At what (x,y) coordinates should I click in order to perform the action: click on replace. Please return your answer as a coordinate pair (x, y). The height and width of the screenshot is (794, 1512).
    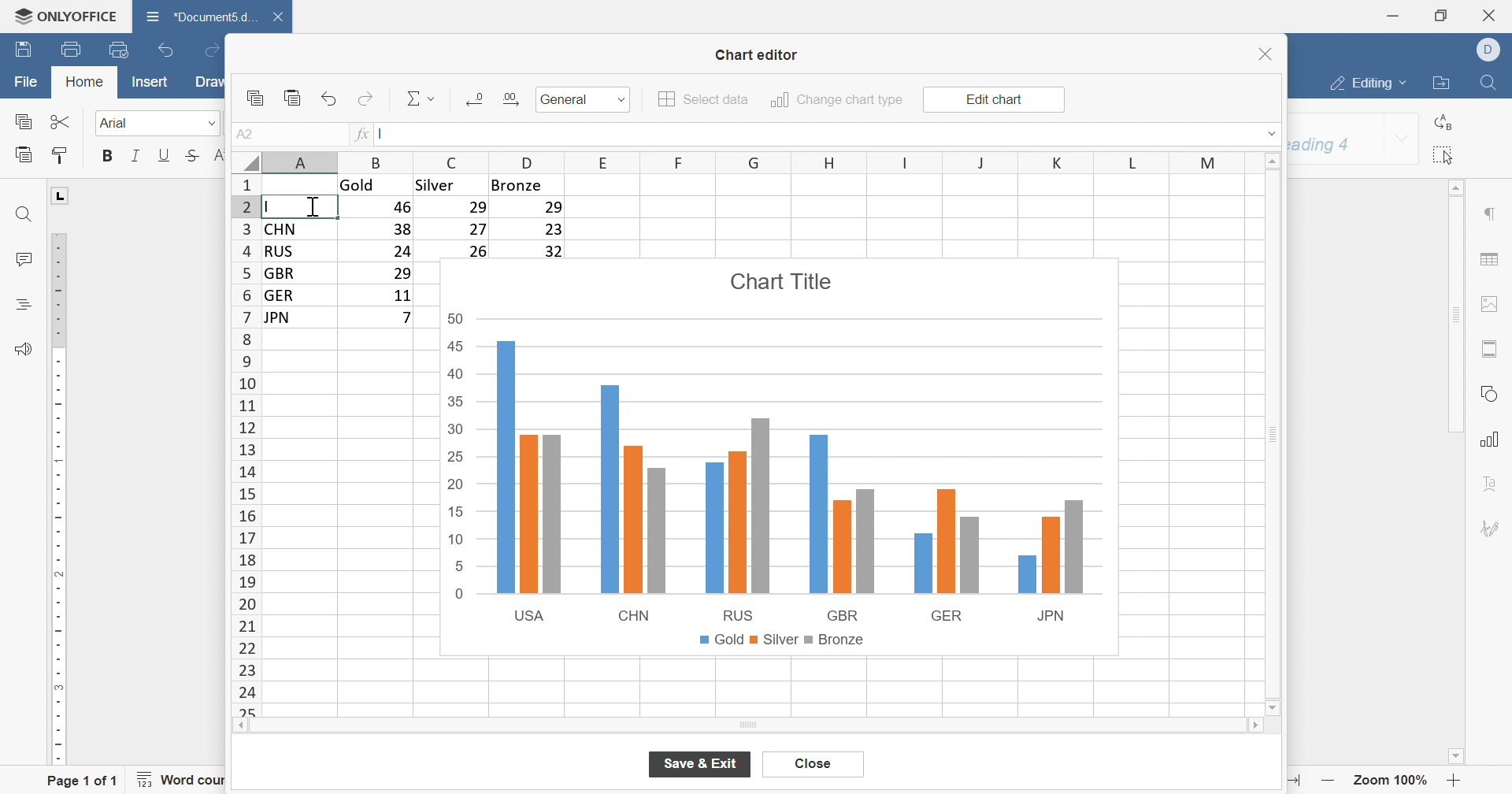
    Looking at the image, I should click on (1447, 123).